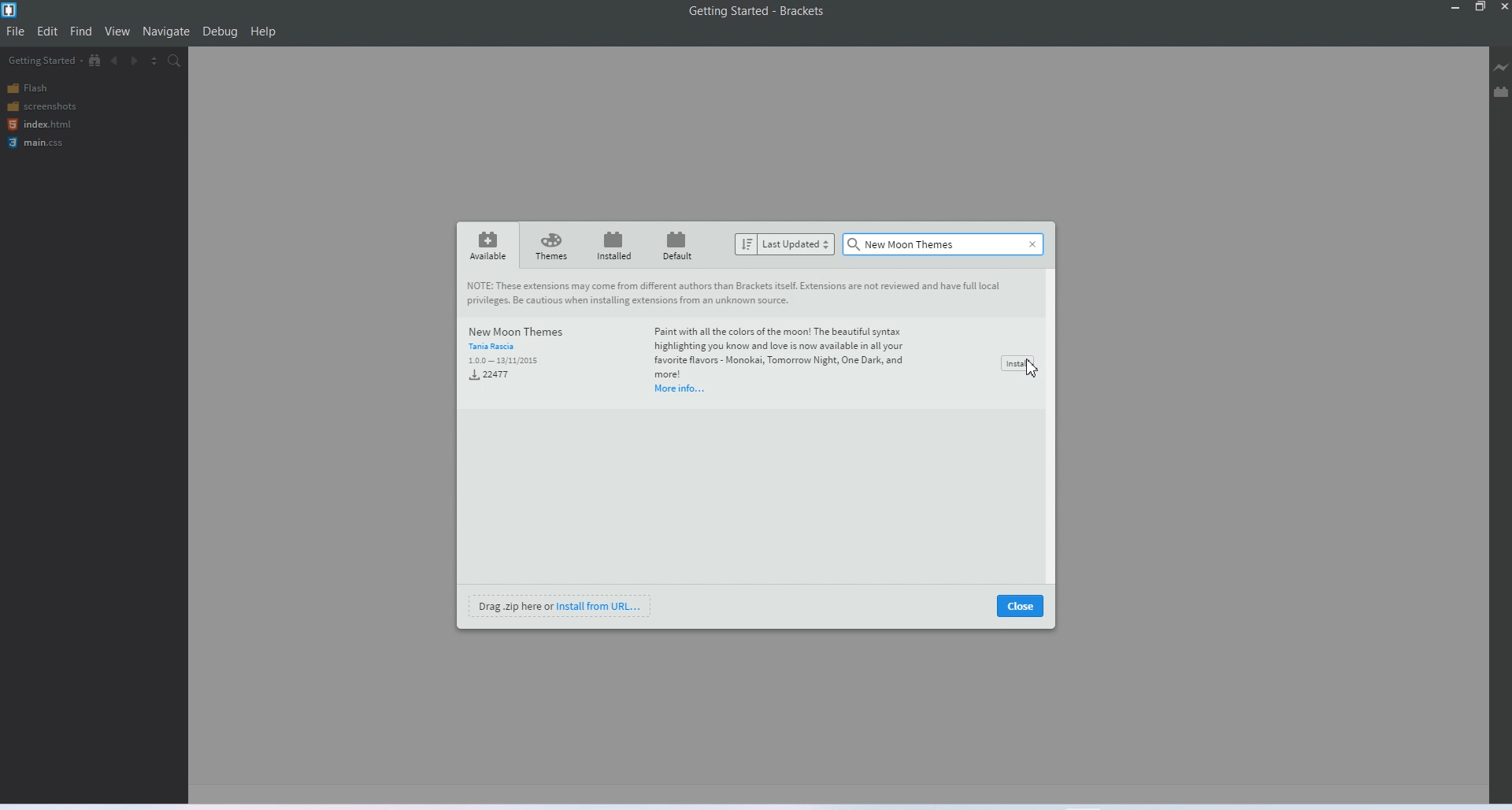 This screenshot has width=1512, height=810. What do you see at coordinates (43, 60) in the screenshot?
I see `Getting started` at bounding box center [43, 60].